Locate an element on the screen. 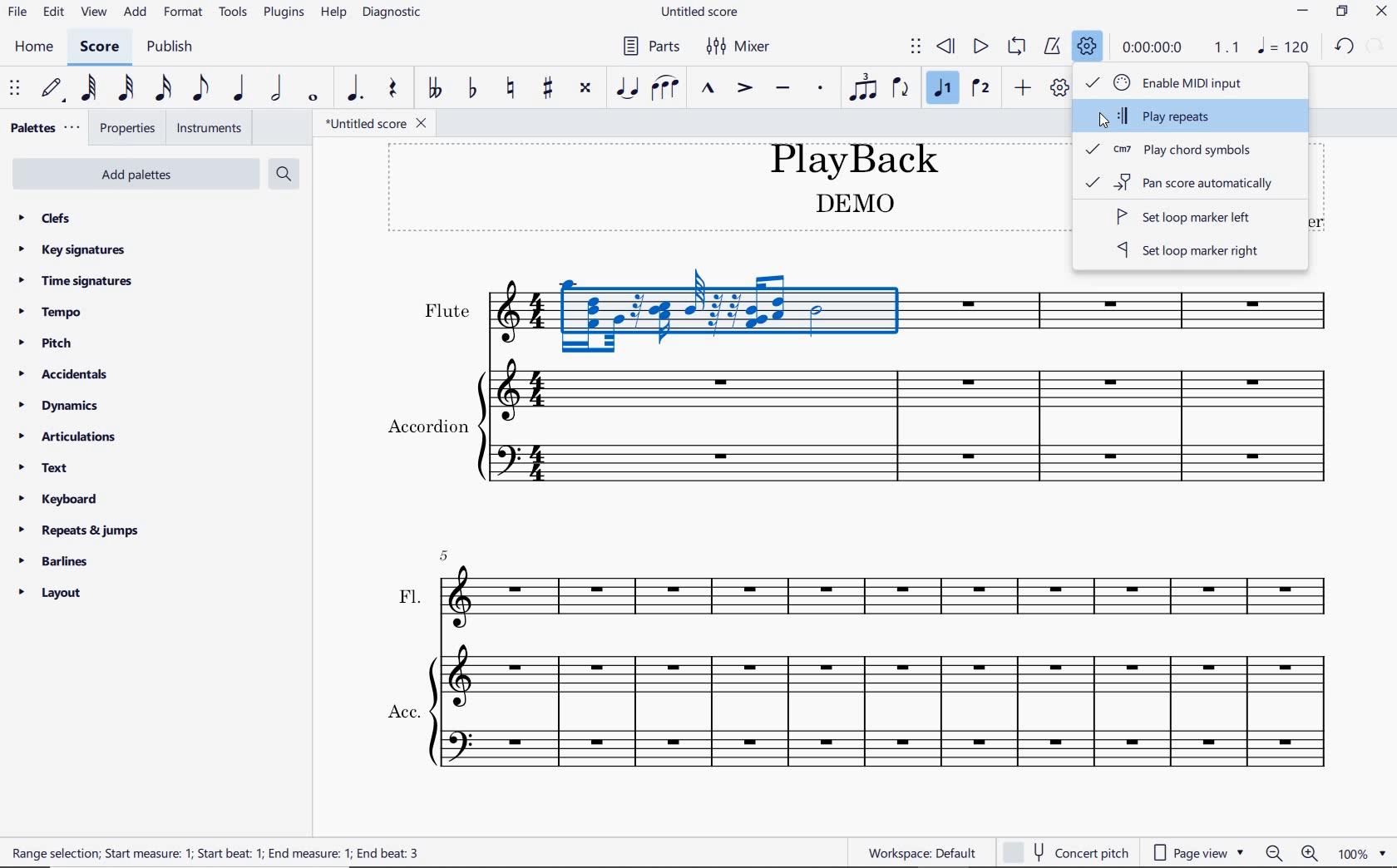  tie is located at coordinates (628, 89).